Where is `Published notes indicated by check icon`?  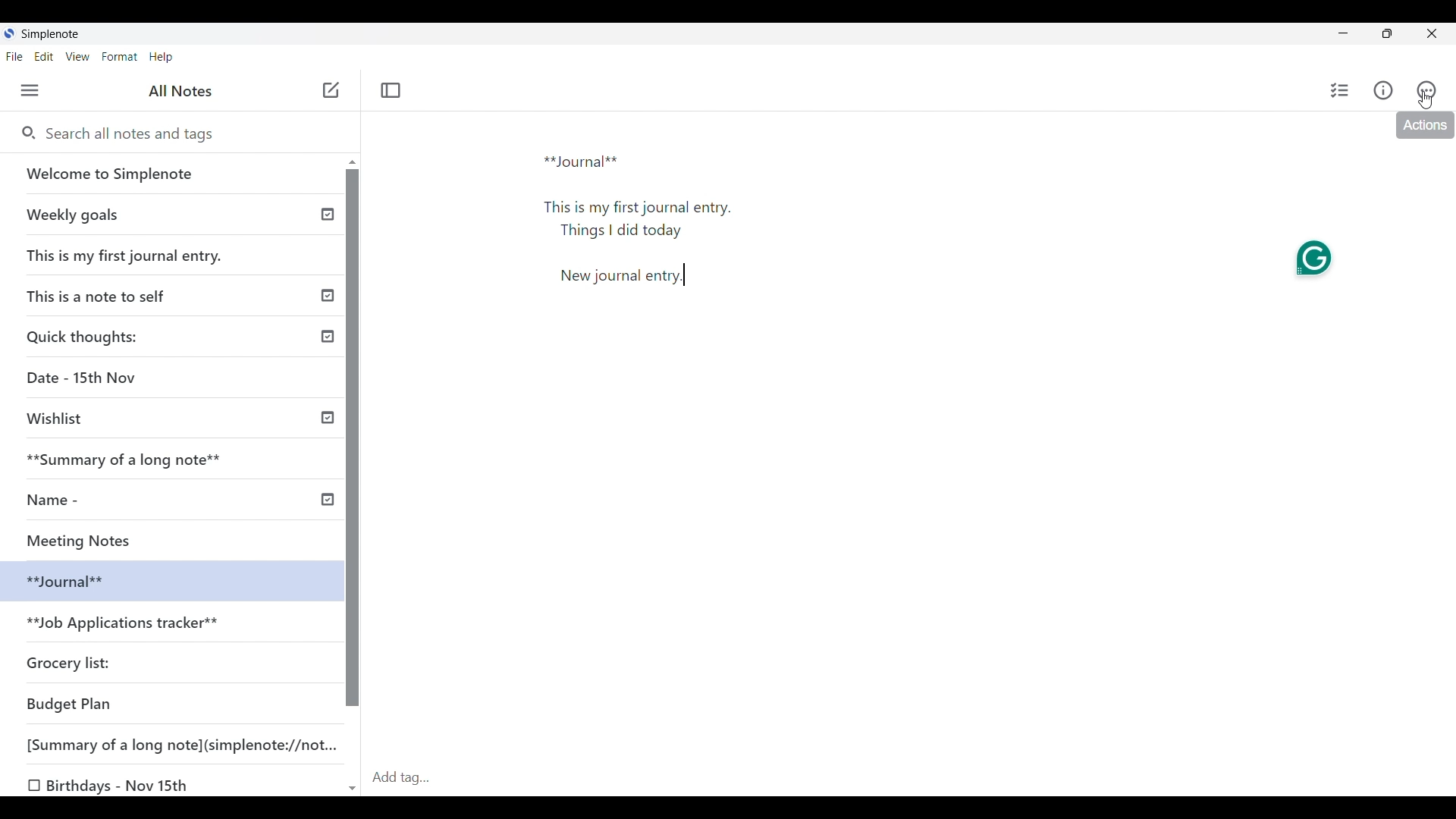 Published notes indicated by check icon is located at coordinates (328, 357).